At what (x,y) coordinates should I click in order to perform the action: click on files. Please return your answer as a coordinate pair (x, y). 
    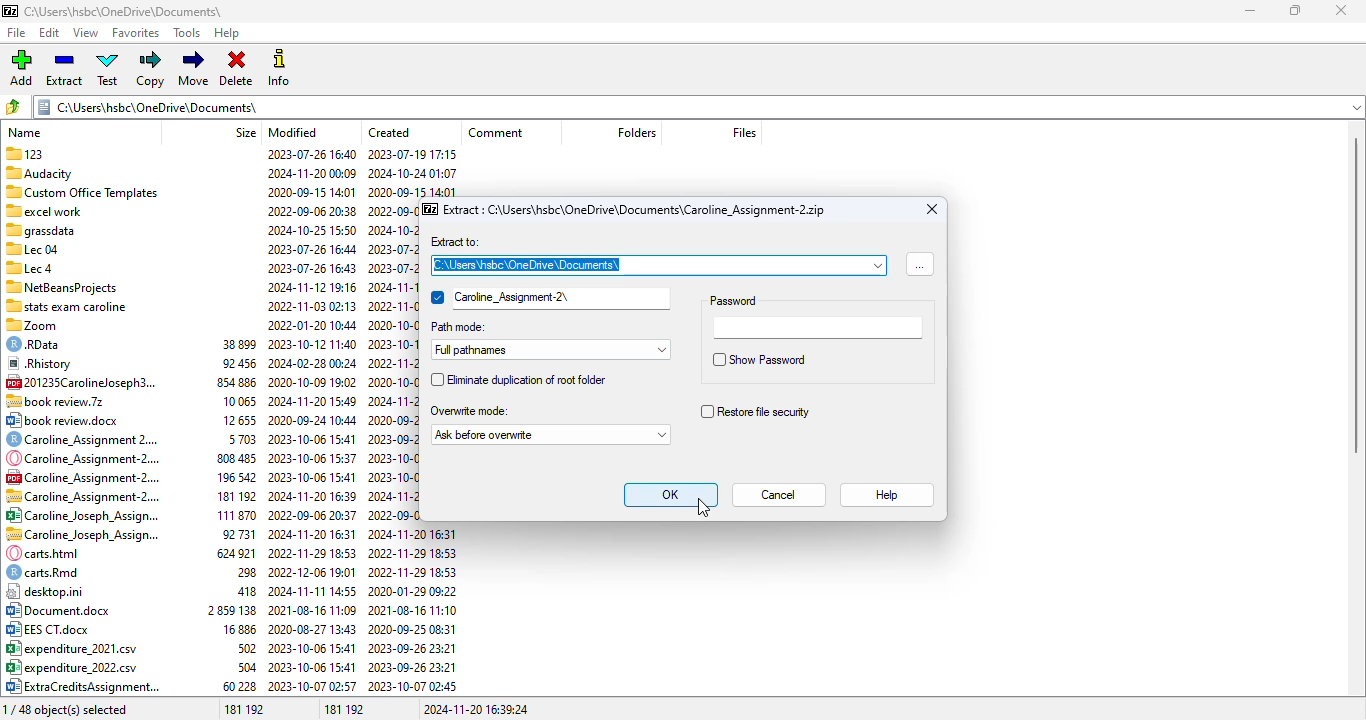
    Looking at the image, I should click on (744, 133).